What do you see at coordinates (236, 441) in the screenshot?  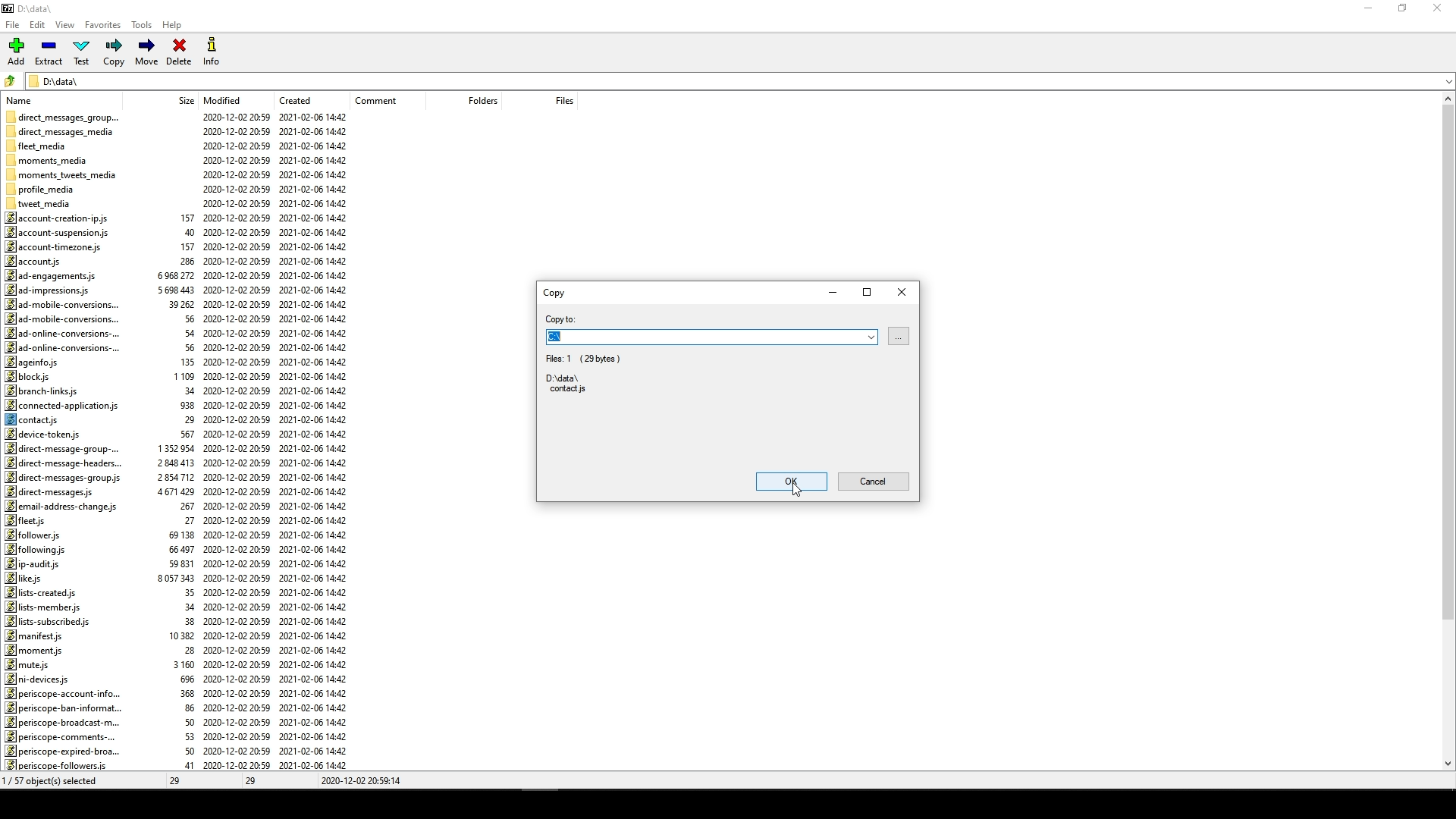 I see `Modified date and time` at bounding box center [236, 441].